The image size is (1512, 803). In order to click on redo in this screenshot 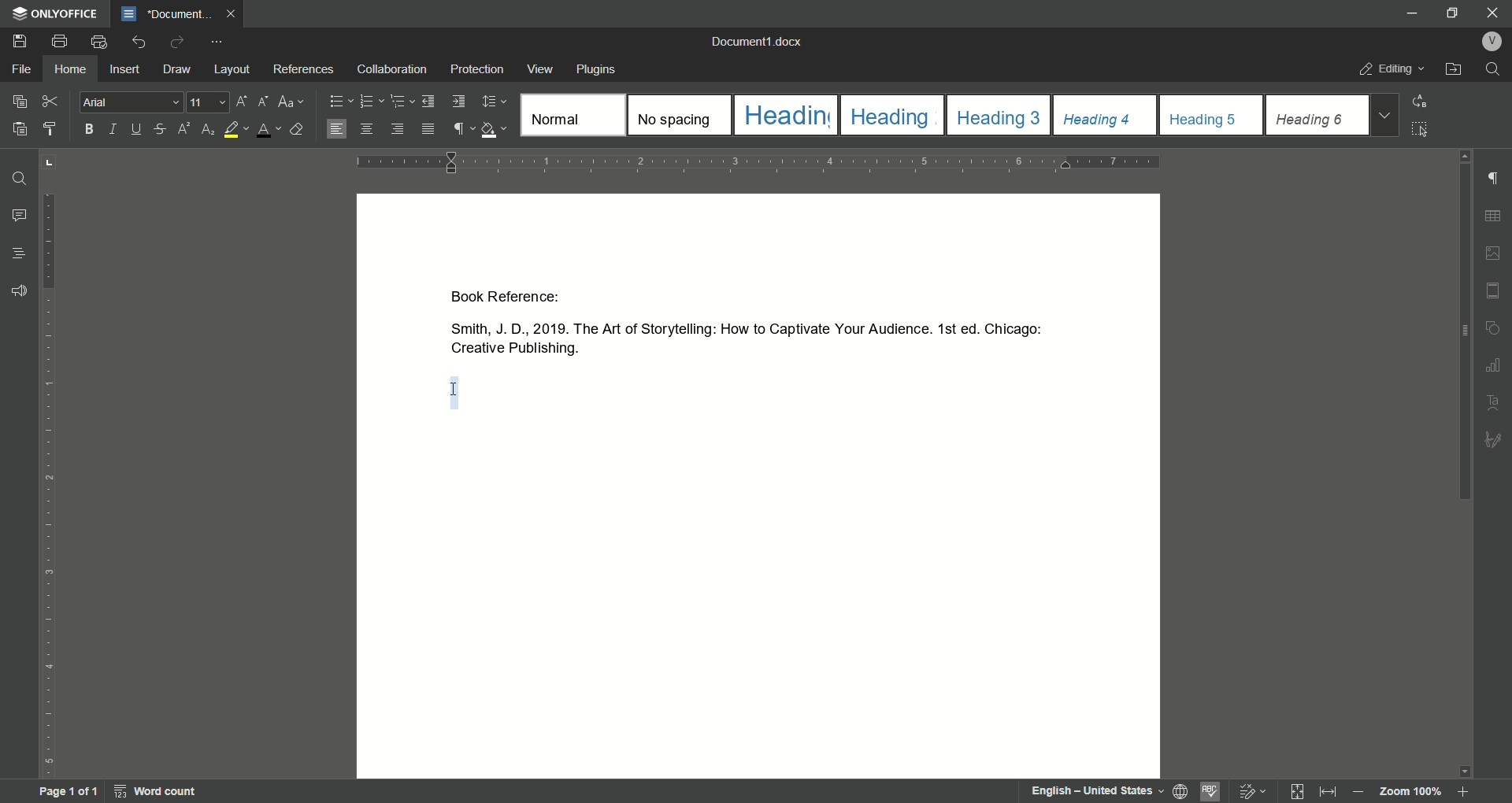, I will do `click(178, 42)`.